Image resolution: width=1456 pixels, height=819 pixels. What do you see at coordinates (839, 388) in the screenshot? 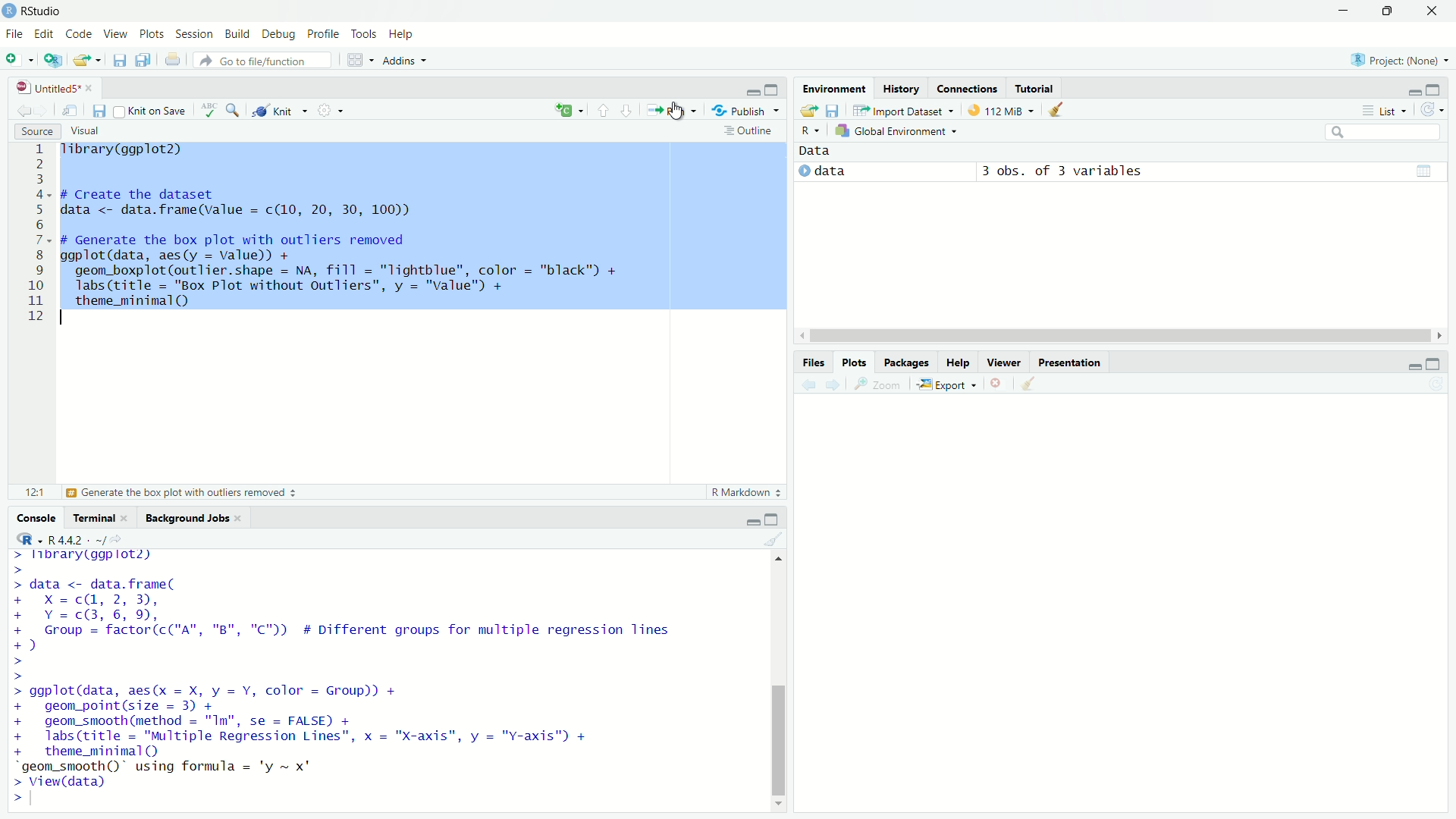
I see `next` at bounding box center [839, 388].